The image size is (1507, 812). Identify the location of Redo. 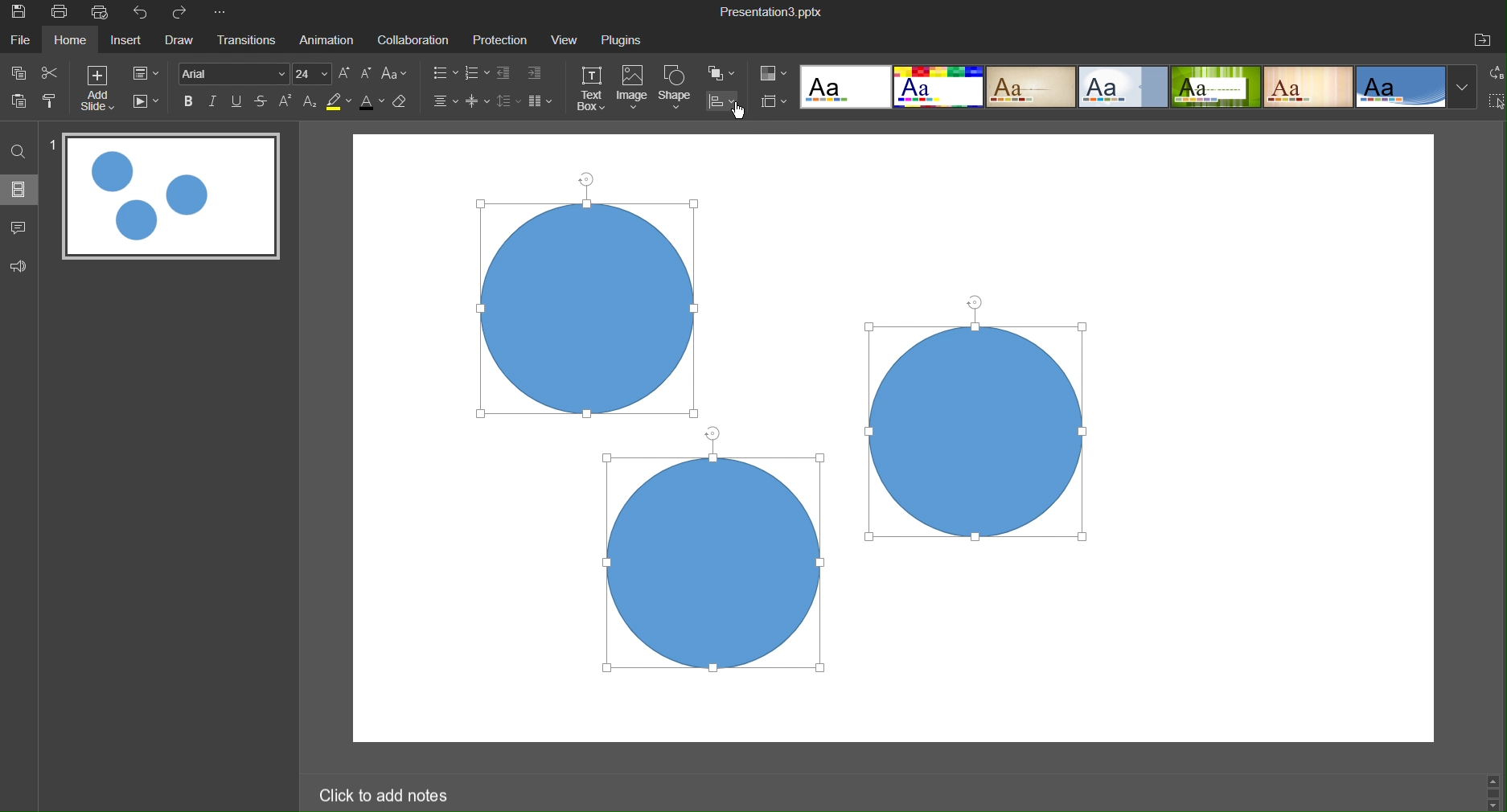
(187, 14).